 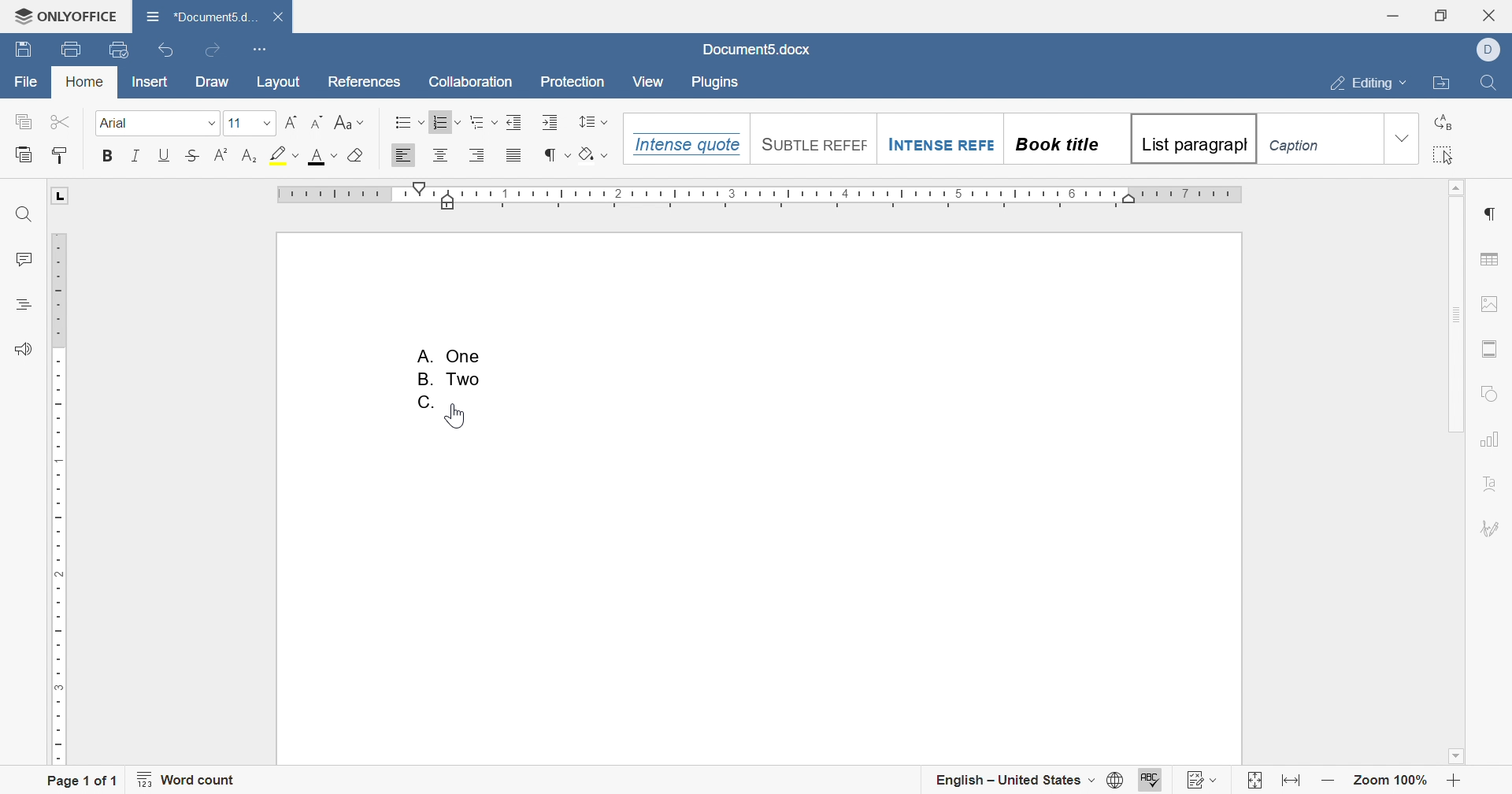 I want to click on Intense quote, so click(x=684, y=144).